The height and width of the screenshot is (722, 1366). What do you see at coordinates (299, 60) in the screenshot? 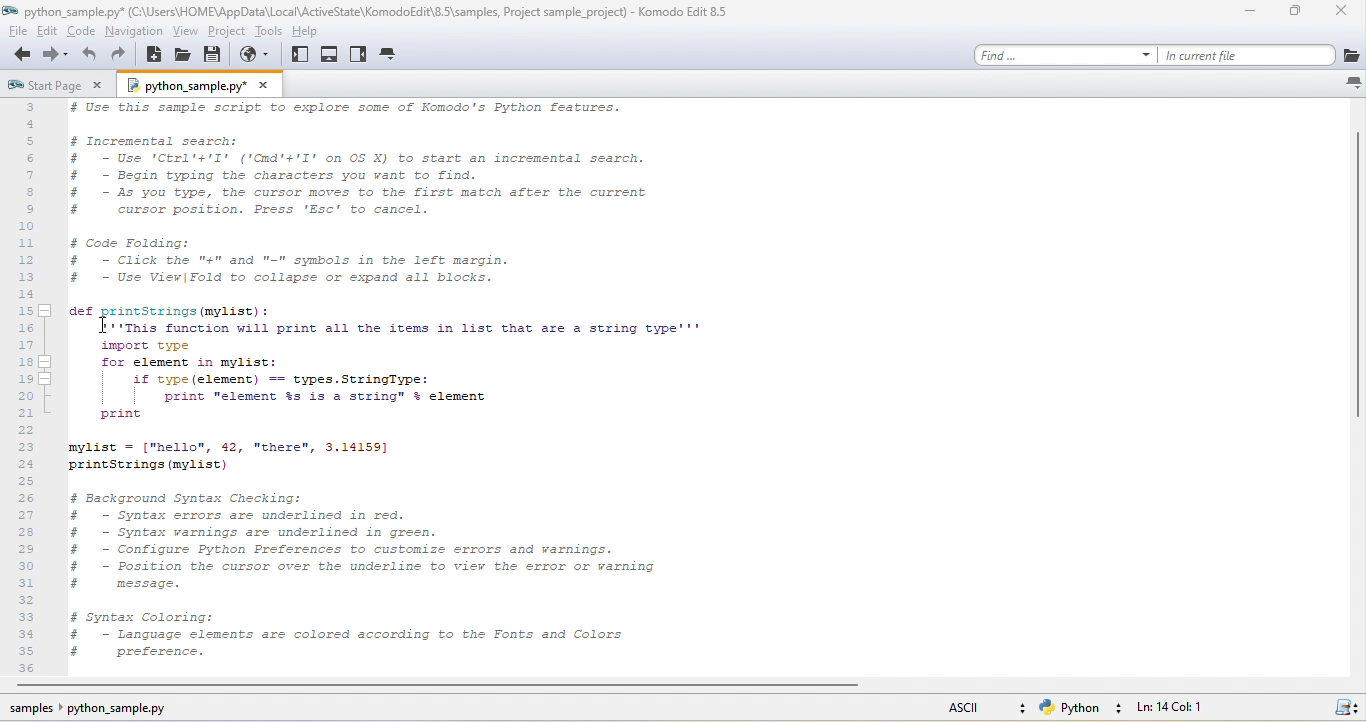
I see `left pane` at bounding box center [299, 60].